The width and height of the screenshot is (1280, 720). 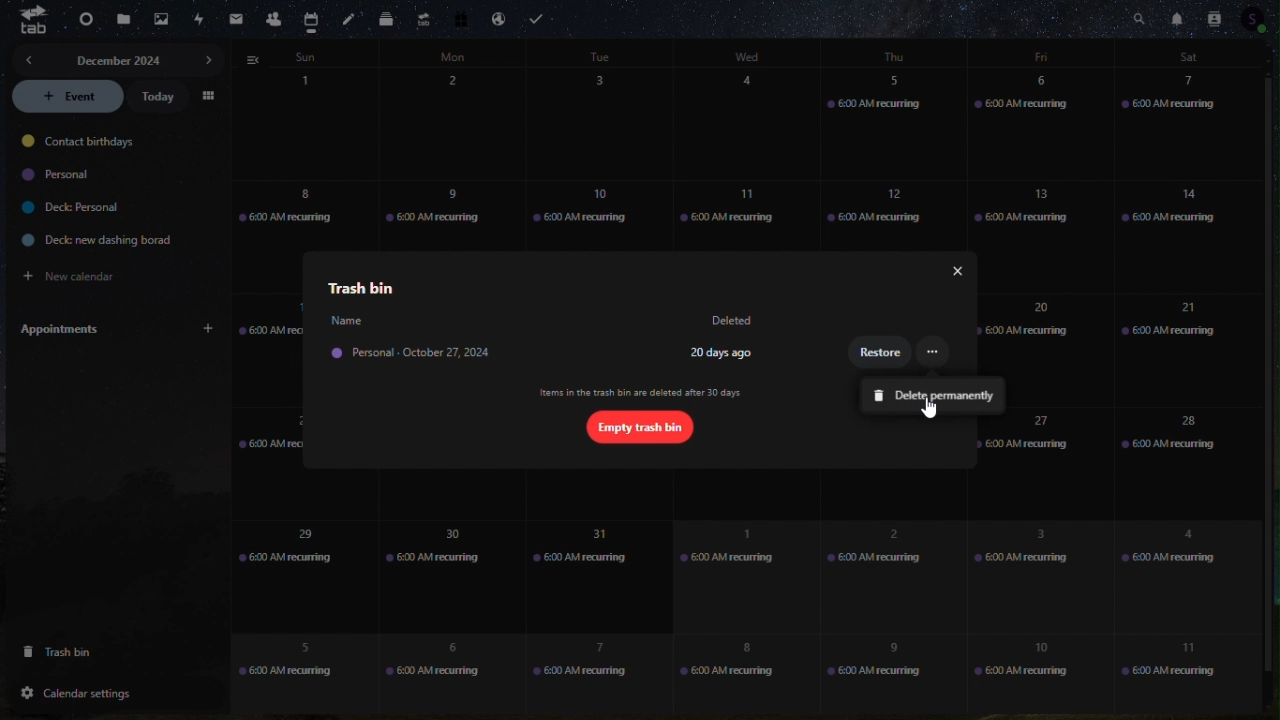 What do you see at coordinates (121, 17) in the screenshot?
I see `files` at bounding box center [121, 17].